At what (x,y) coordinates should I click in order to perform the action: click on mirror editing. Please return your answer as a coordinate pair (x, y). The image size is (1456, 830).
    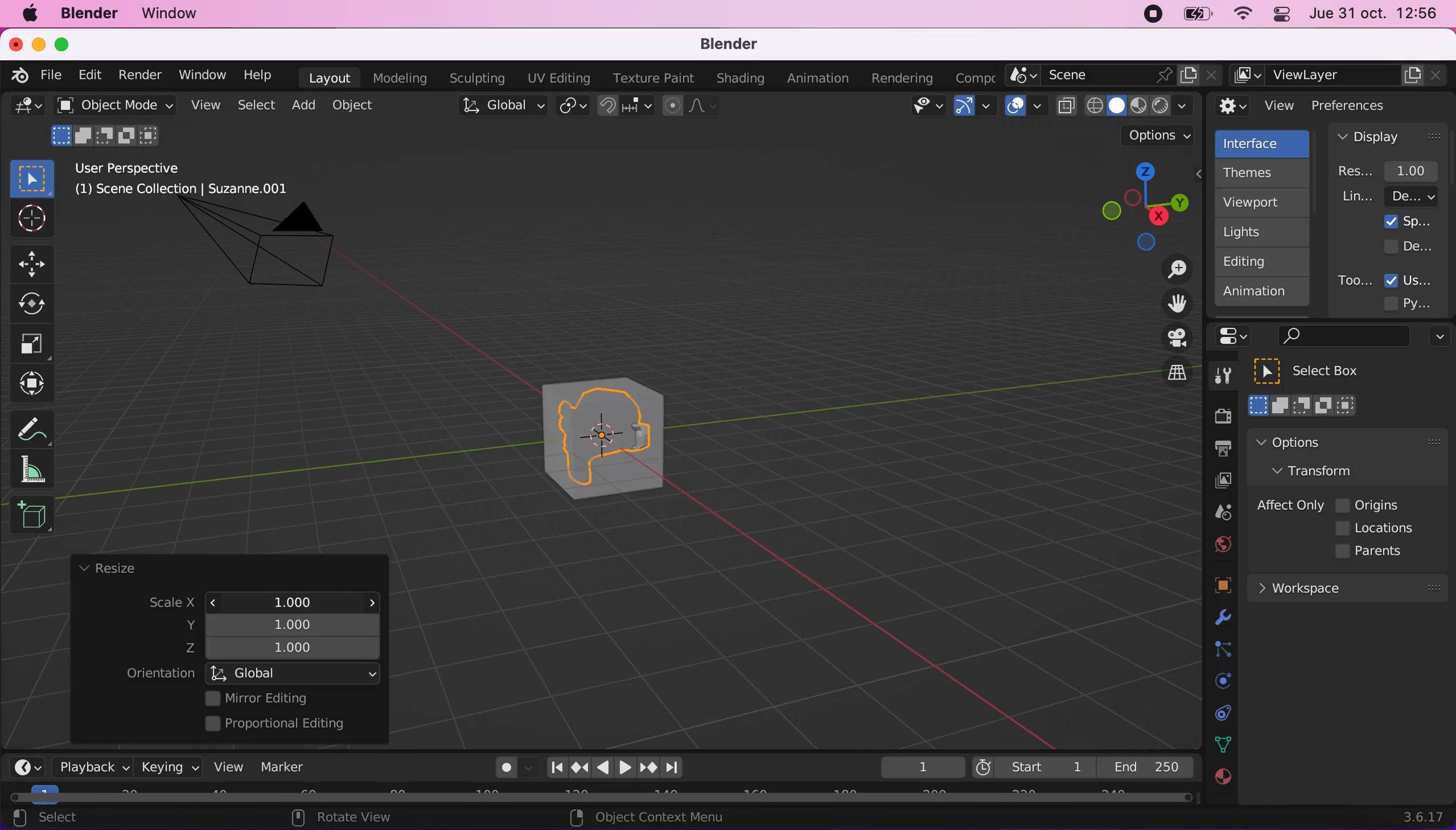
    Looking at the image, I should click on (289, 698).